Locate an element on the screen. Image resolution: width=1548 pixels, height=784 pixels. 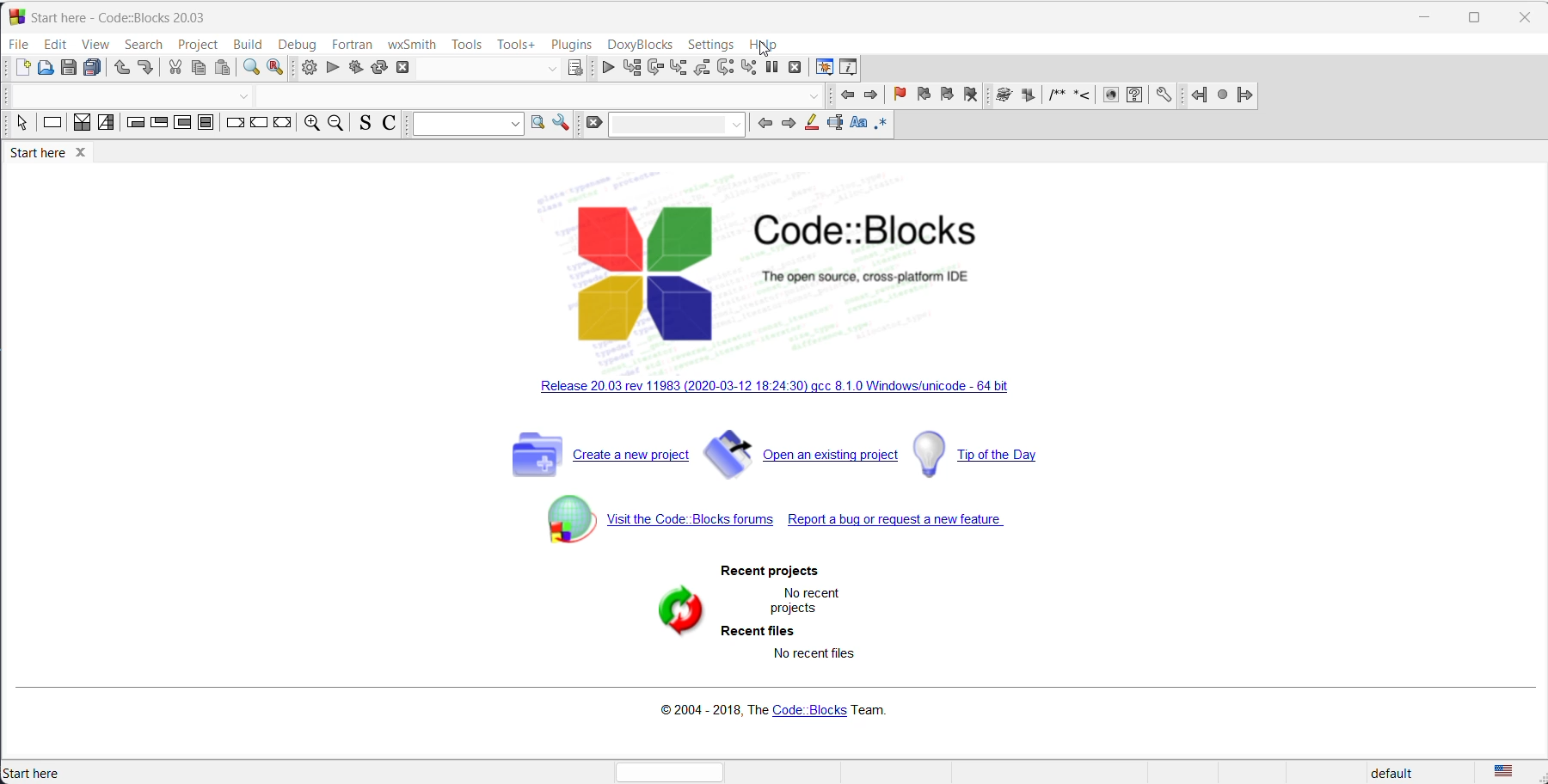
project is located at coordinates (198, 45).